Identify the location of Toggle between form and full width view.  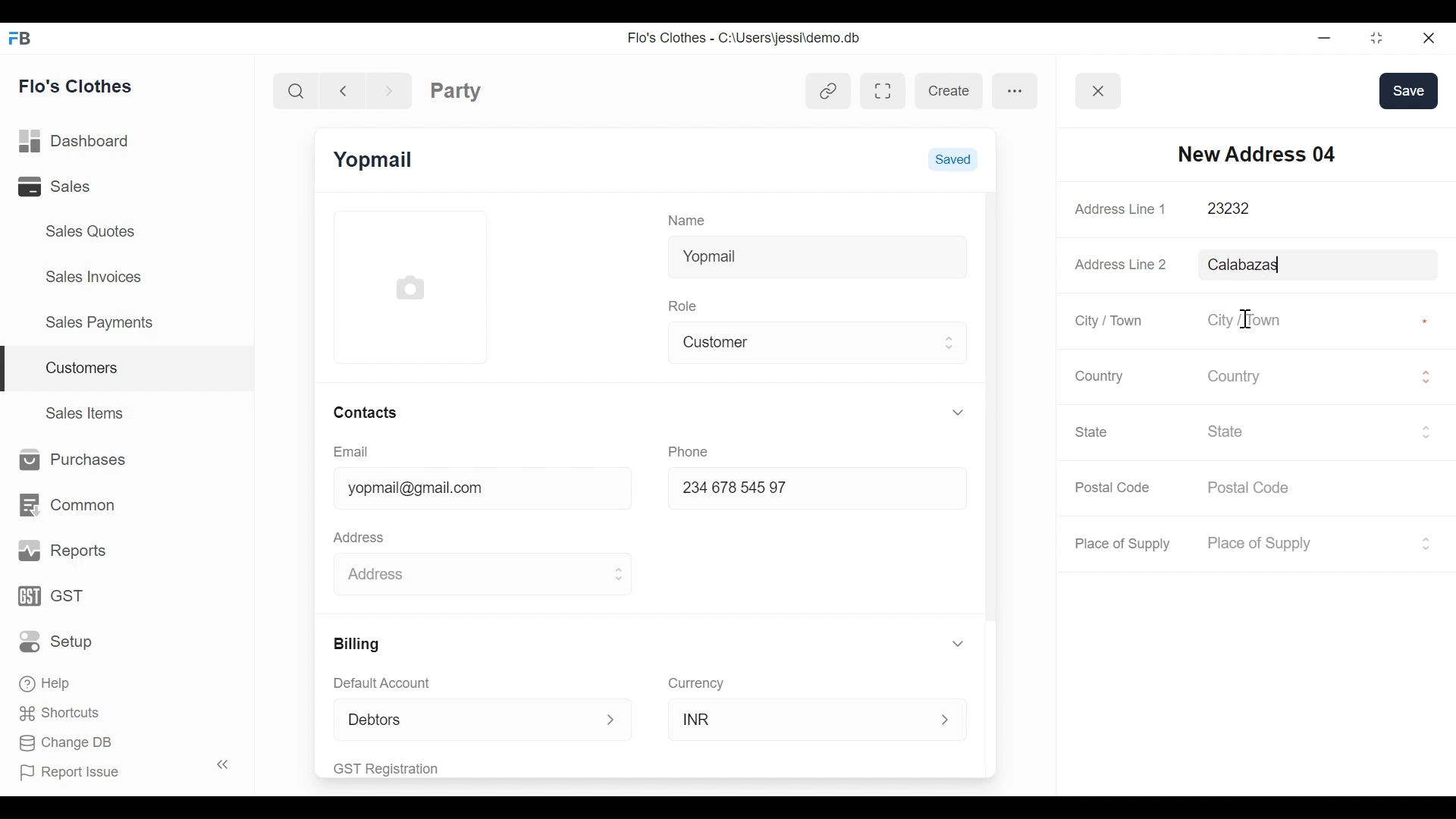
(883, 91).